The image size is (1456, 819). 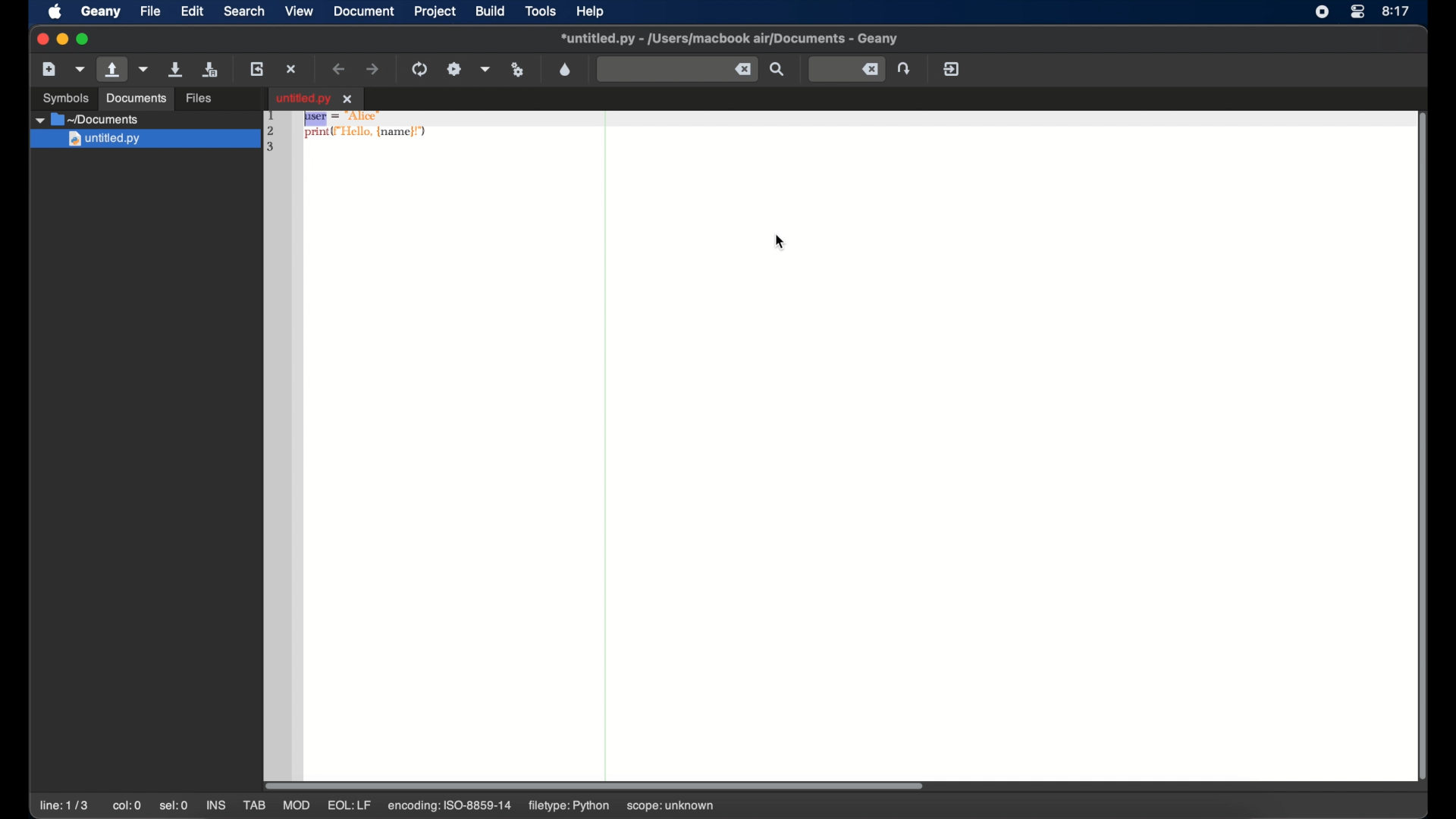 I want to click on find the entered text in current file, so click(x=677, y=70).